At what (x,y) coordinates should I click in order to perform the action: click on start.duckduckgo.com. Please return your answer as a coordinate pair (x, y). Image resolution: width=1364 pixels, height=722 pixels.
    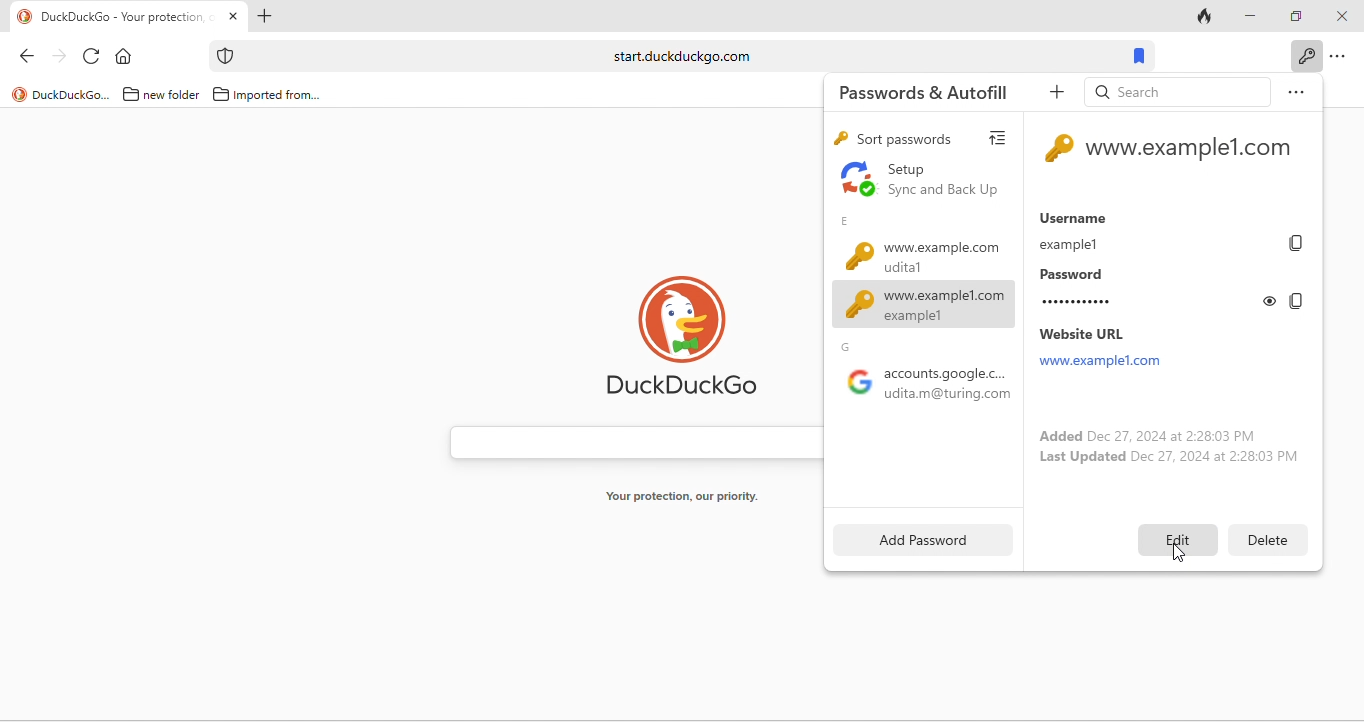
    Looking at the image, I should click on (680, 56).